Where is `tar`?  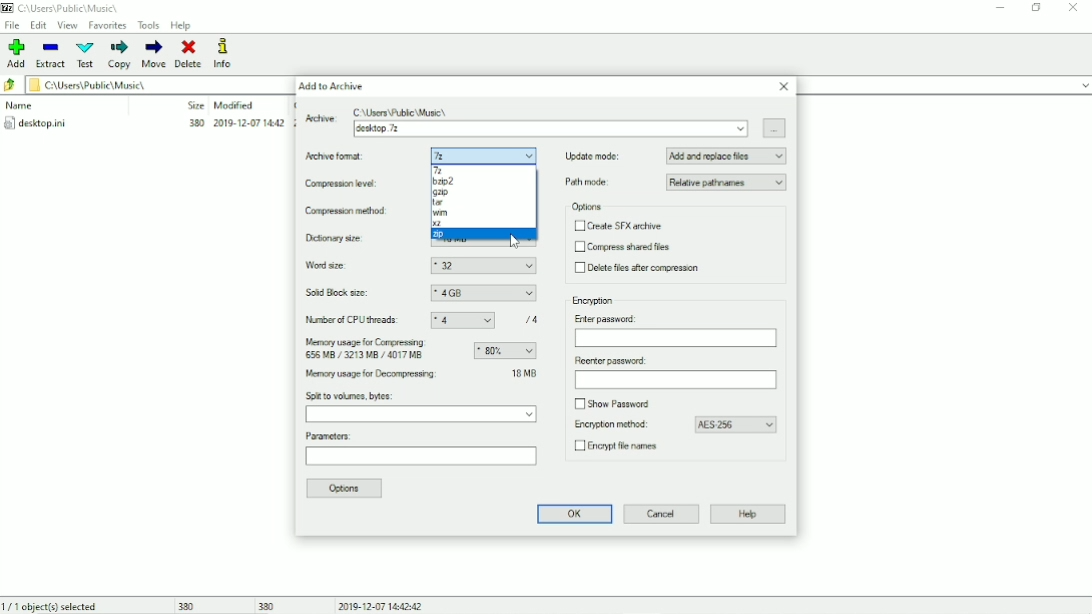 tar is located at coordinates (441, 203).